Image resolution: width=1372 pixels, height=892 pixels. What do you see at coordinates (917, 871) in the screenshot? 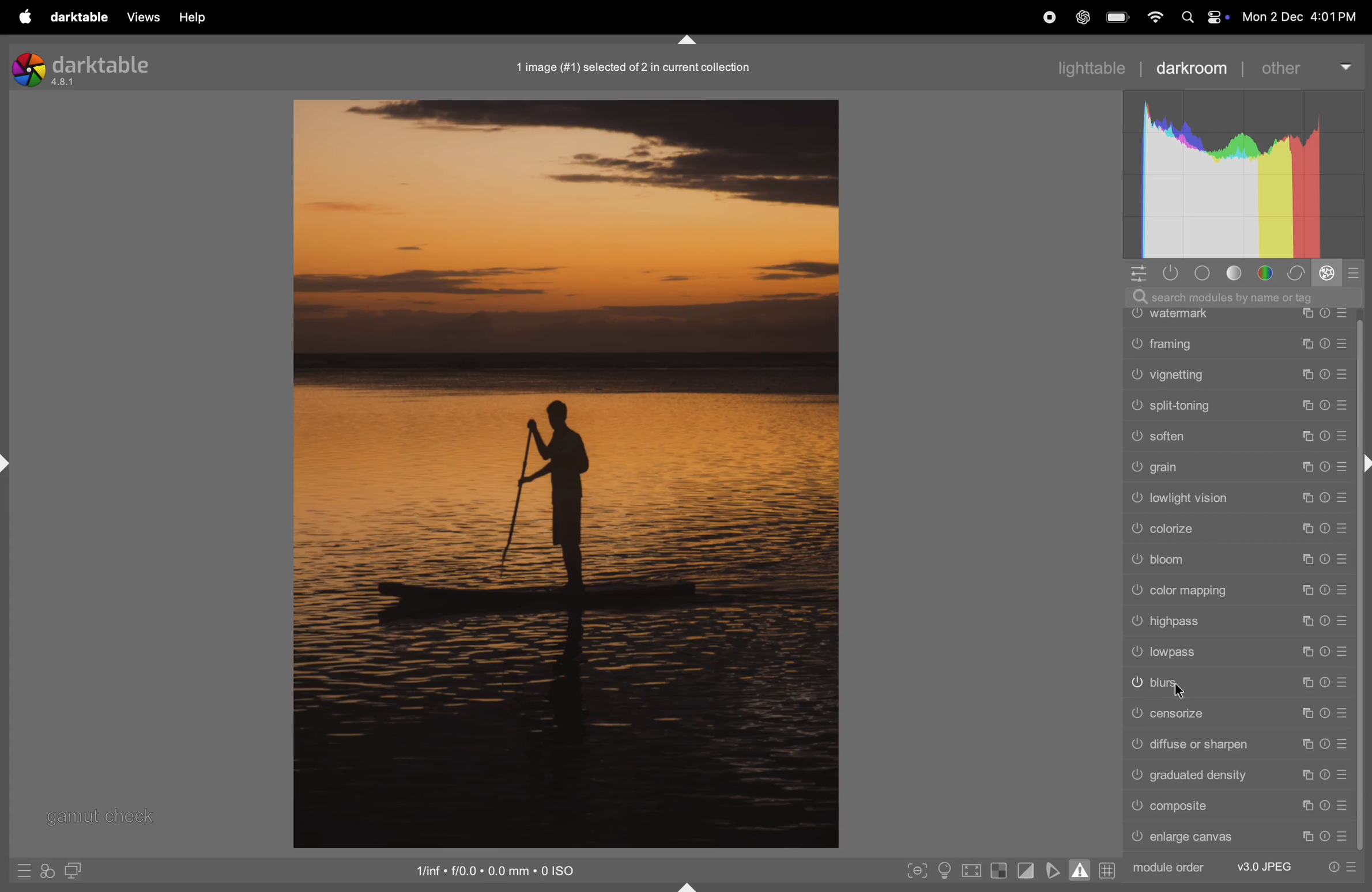
I see `toggle peak focusing mode` at bounding box center [917, 871].